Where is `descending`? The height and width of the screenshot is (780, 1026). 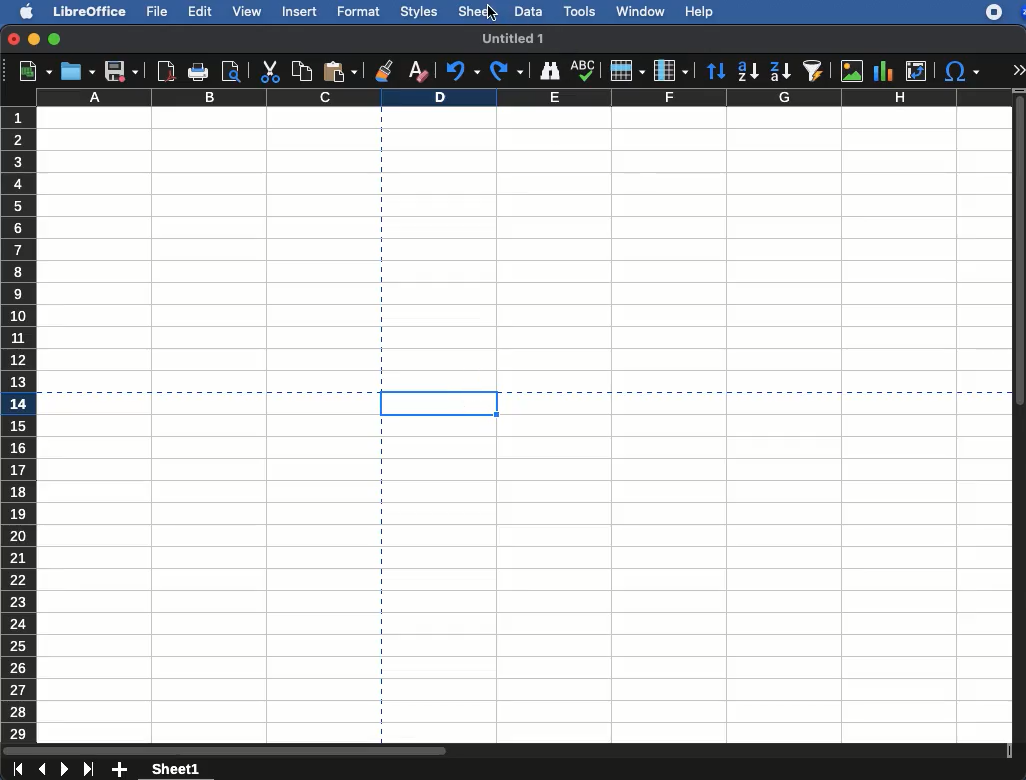
descending is located at coordinates (780, 73).